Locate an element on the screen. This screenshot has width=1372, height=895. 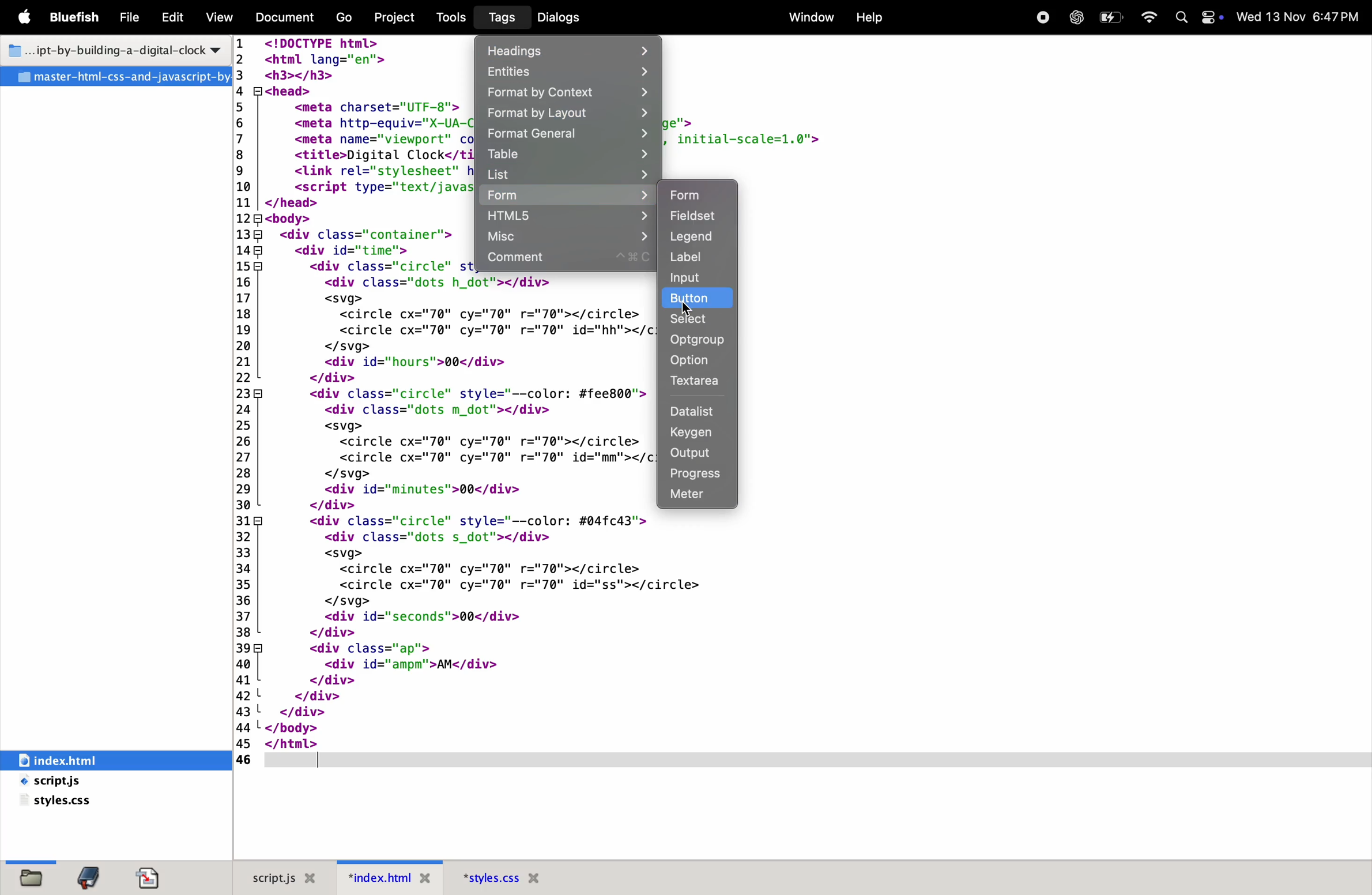
page title is located at coordinates (112, 52).